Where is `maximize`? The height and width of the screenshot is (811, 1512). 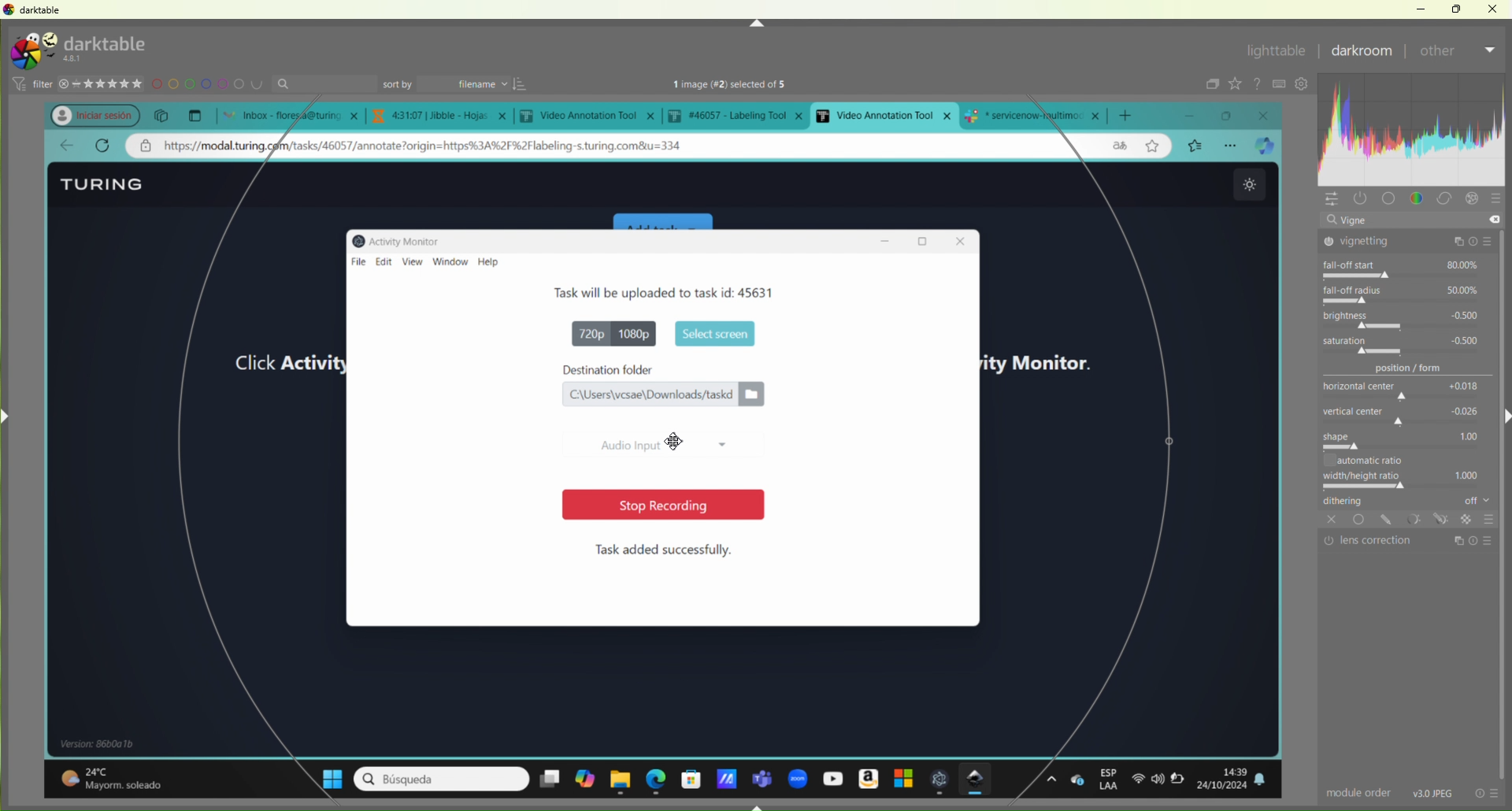
maximize is located at coordinates (1232, 116).